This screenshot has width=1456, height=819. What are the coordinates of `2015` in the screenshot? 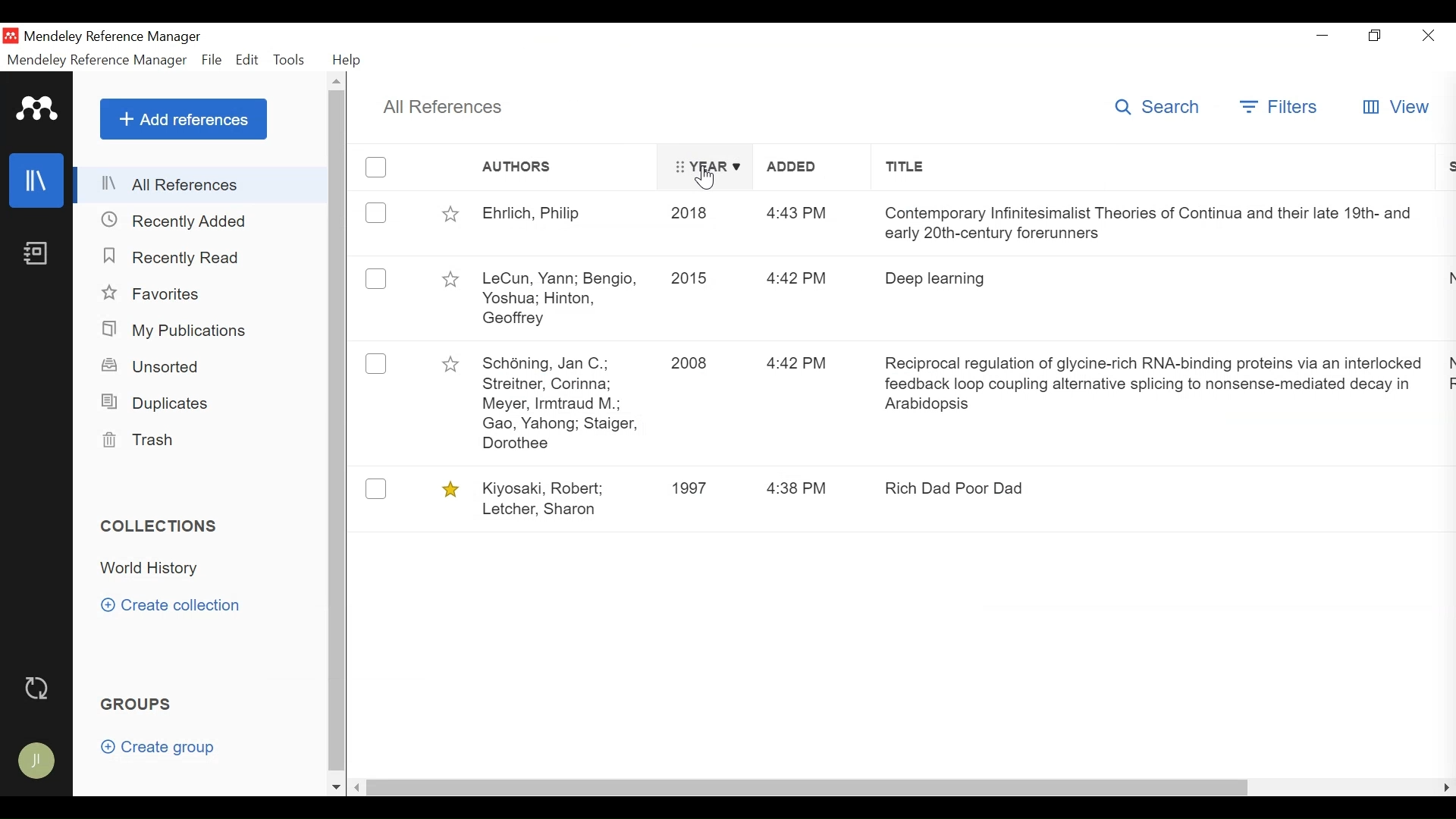 It's located at (690, 281).